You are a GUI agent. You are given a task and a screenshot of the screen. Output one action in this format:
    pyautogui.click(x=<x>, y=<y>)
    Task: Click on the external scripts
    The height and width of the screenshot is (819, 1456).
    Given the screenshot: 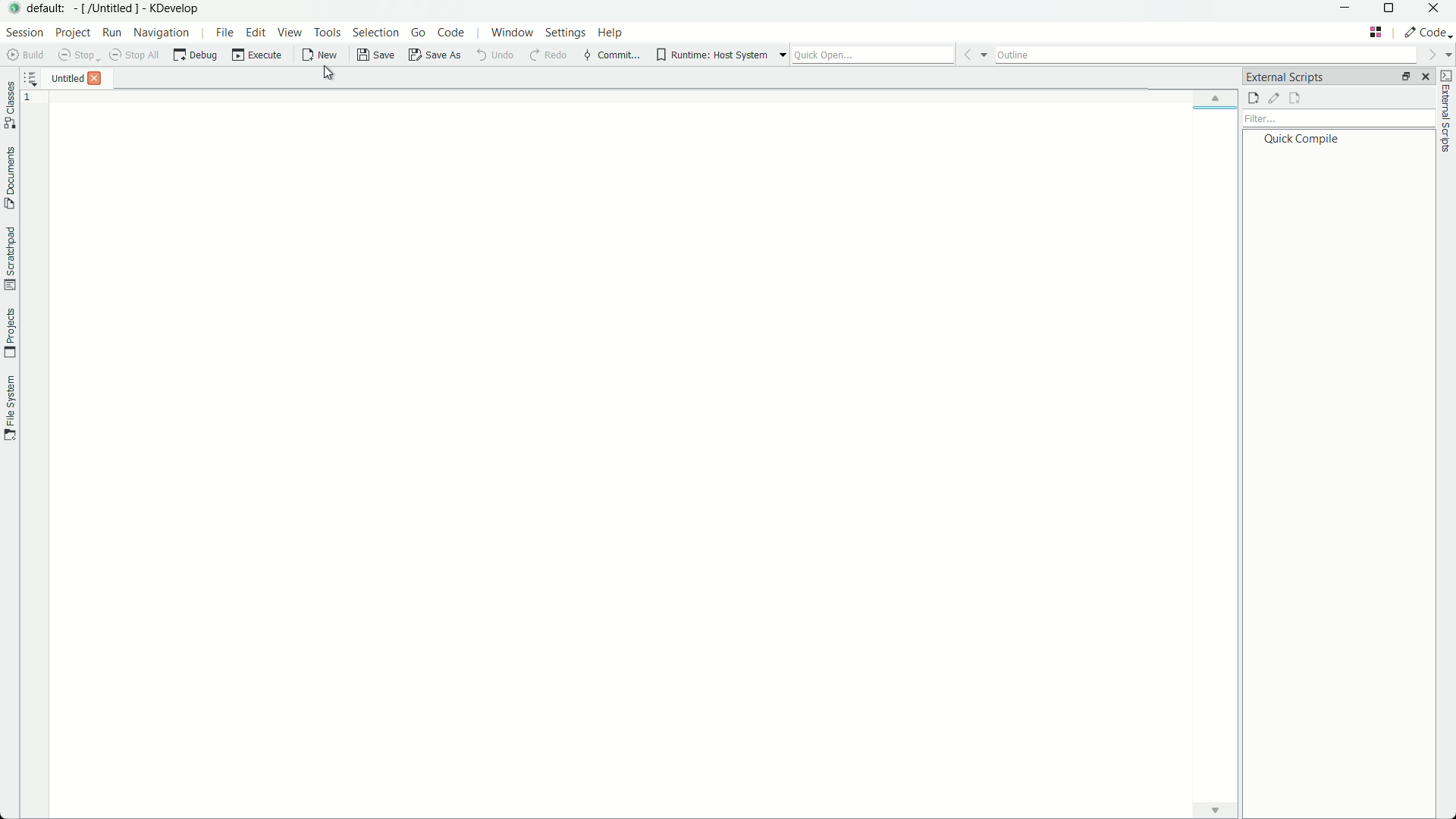 What is the action you would take?
    pyautogui.click(x=1447, y=114)
    